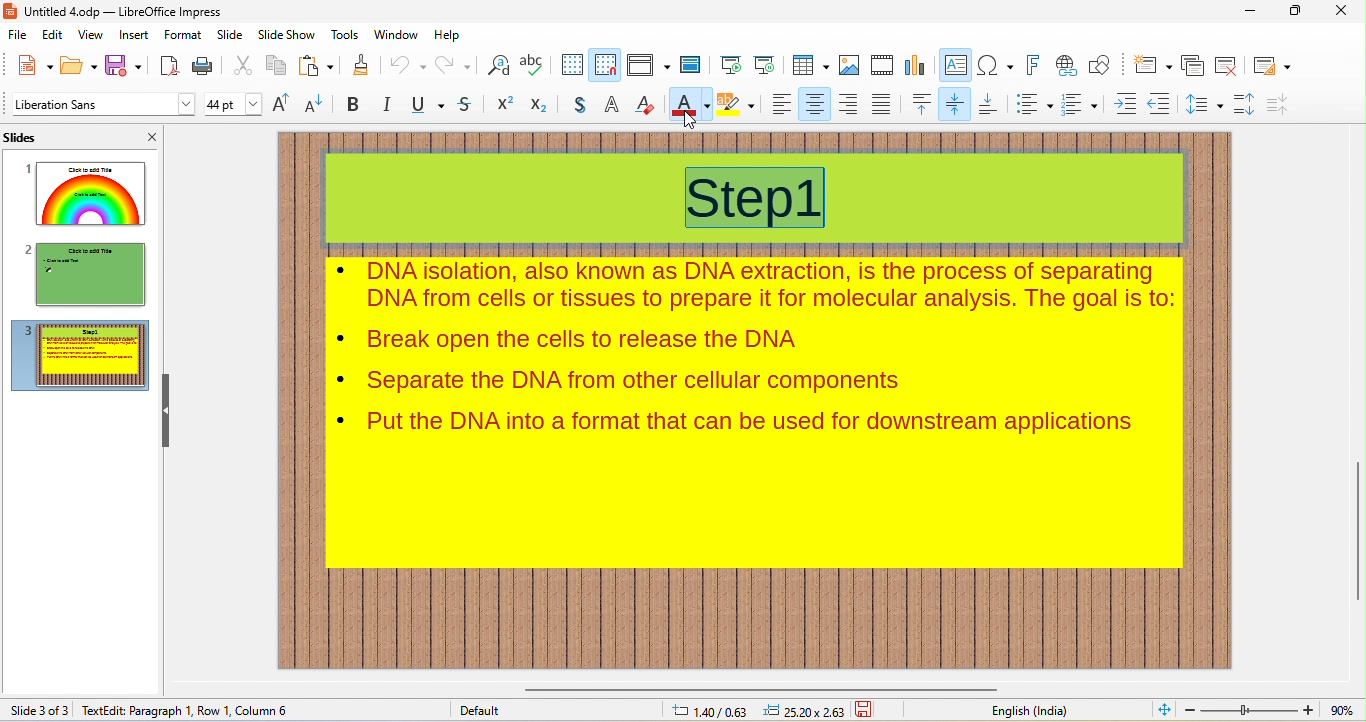 Image resolution: width=1366 pixels, height=722 pixels. What do you see at coordinates (1065, 66) in the screenshot?
I see `hyperlink` at bounding box center [1065, 66].